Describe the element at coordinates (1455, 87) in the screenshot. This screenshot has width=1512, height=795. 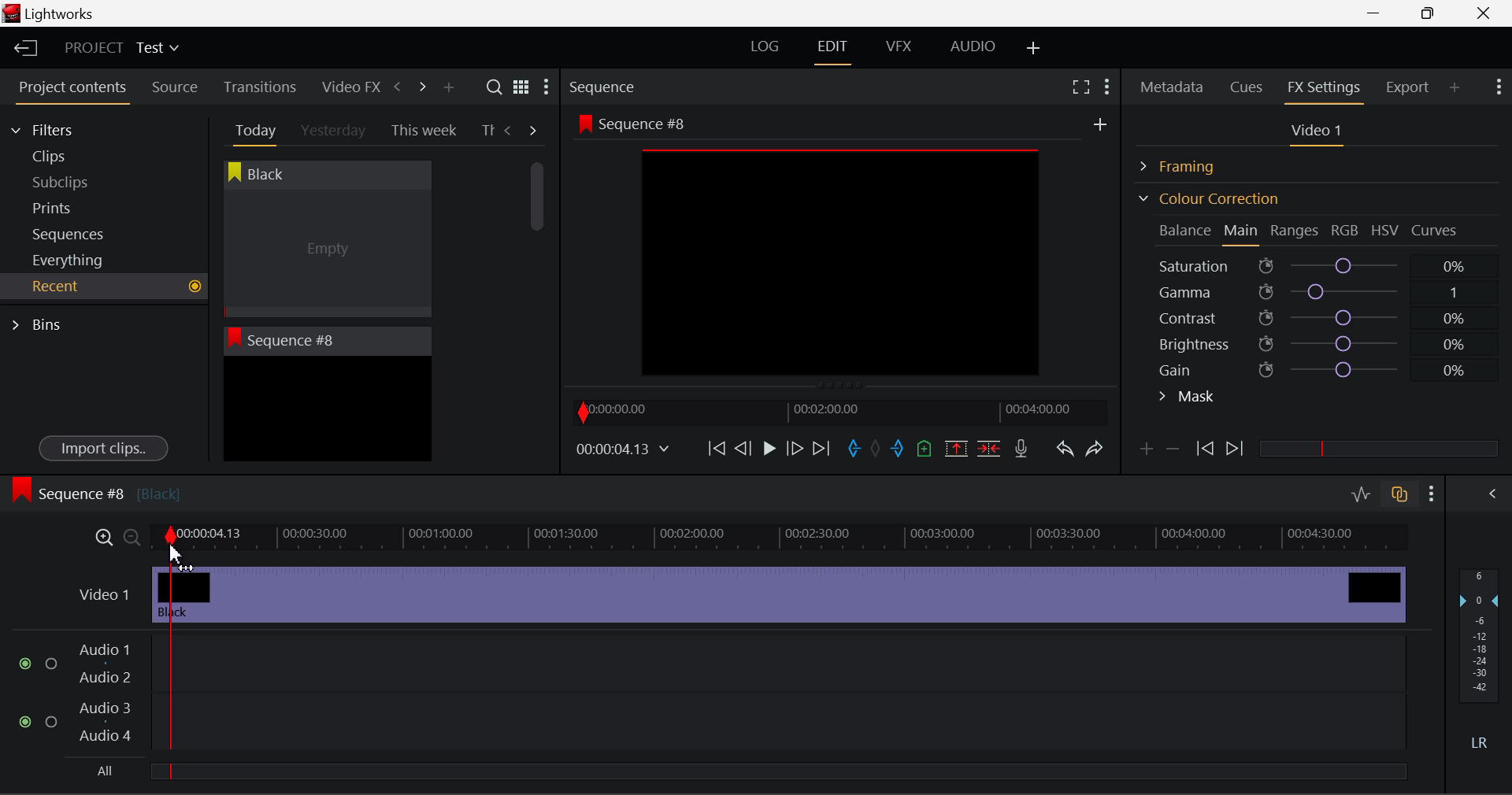
I see `Add Panel` at that location.